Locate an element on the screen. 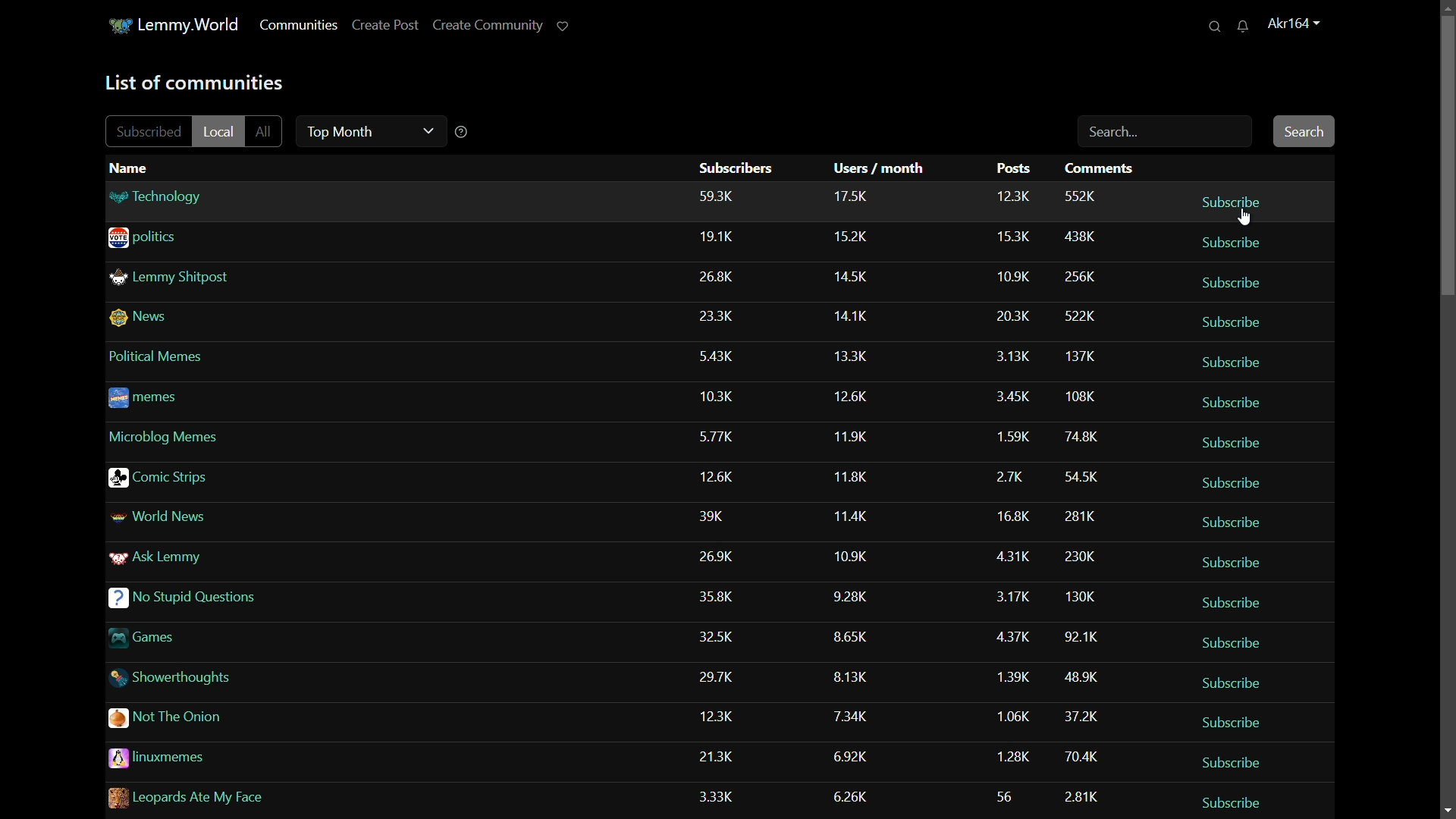 The height and width of the screenshot is (819, 1456). support lemmy is located at coordinates (562, 25).